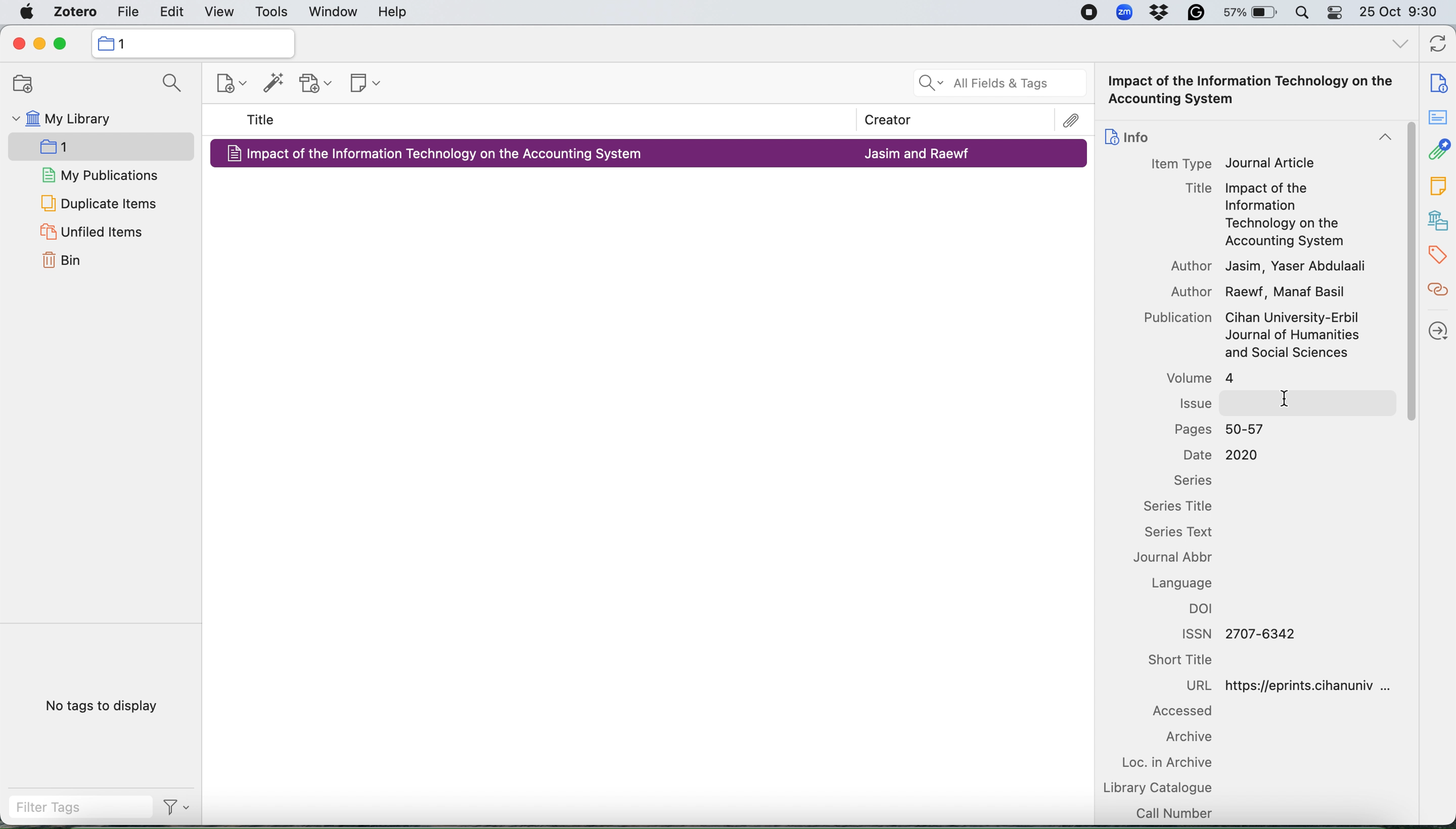  I want to click on minimise, so click(39, 43).